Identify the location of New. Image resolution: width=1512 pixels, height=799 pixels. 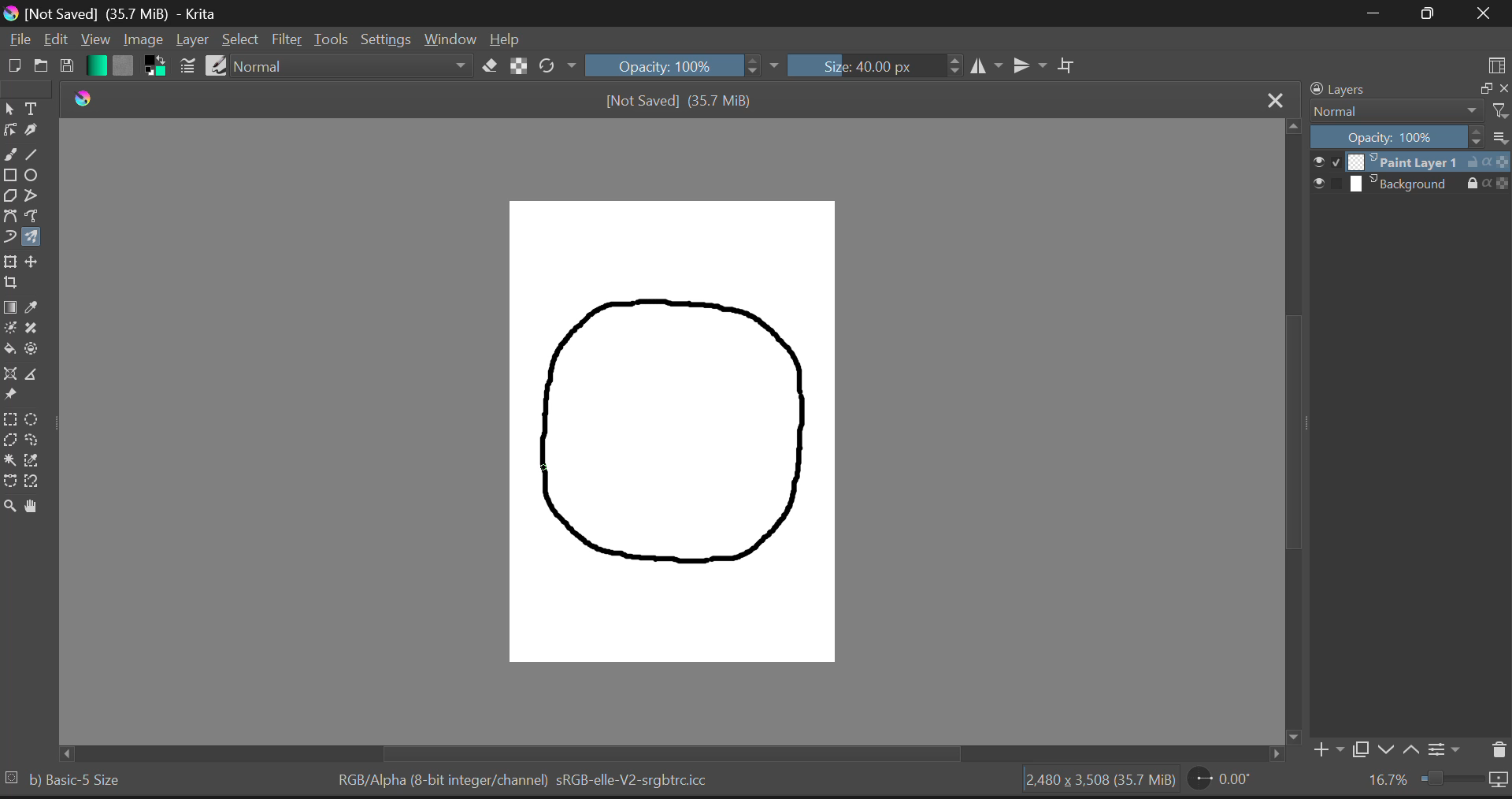
(13, 67).